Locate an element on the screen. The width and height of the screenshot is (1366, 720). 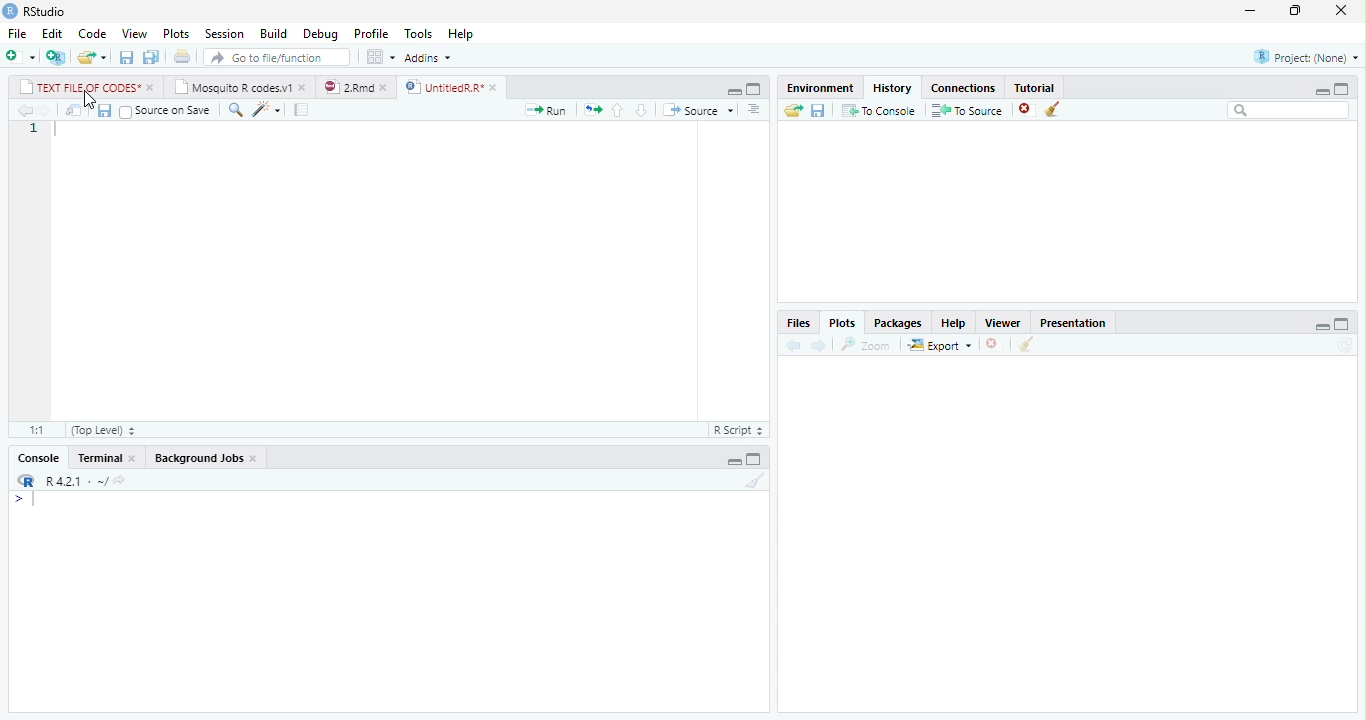
compile report is located at coordinates (301, 110).